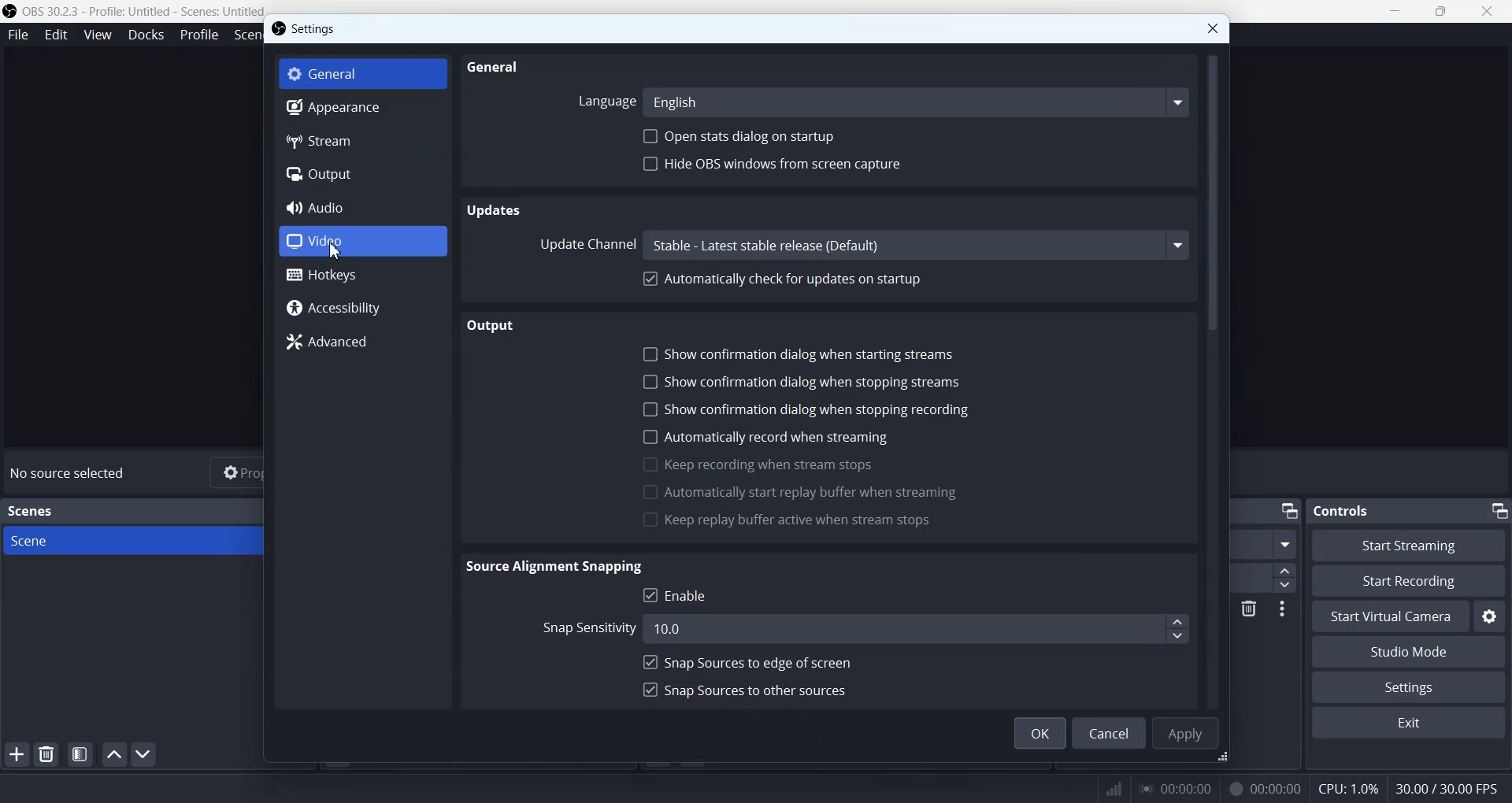  I want to click on 30.00 / 30.00 FPS, so click(1451, 788).